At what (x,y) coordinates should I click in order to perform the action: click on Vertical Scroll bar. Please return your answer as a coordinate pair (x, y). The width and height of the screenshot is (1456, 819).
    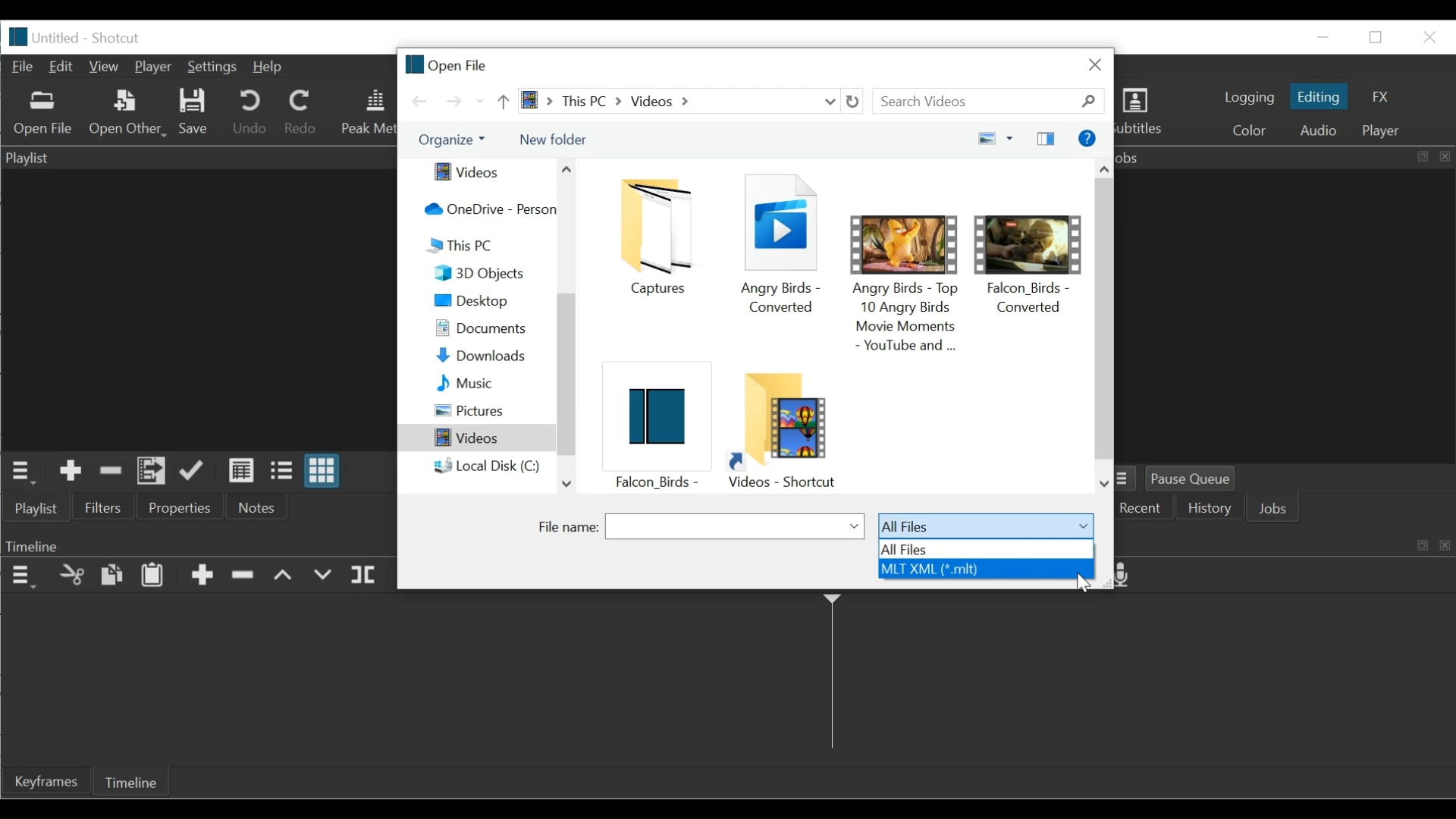
    Looking at the image, I should click on (566, 378).